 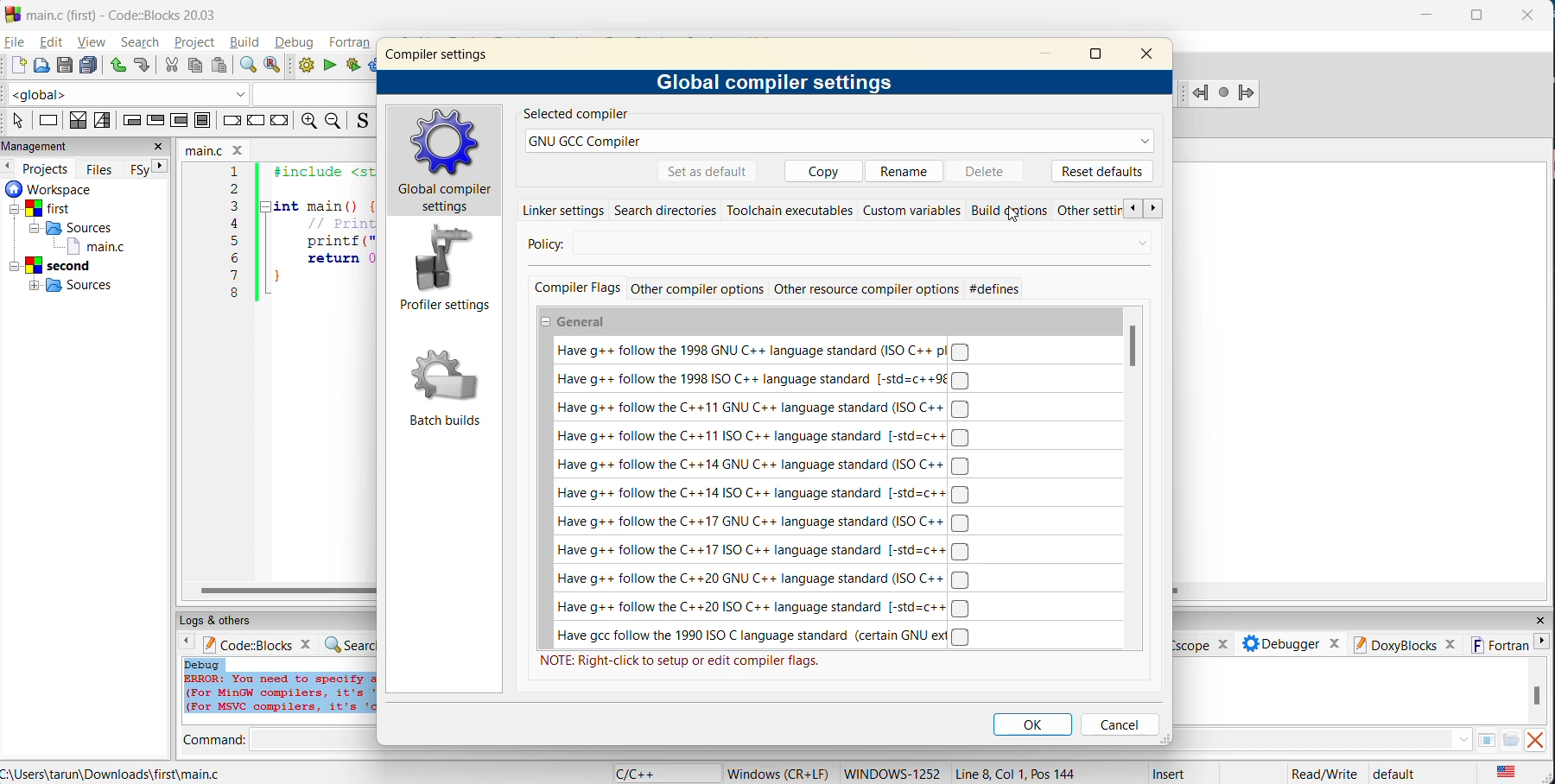 What do you see at coordinates (49, 123) in the screenshot?
I see `instruction` at bounding box center [49, 123].